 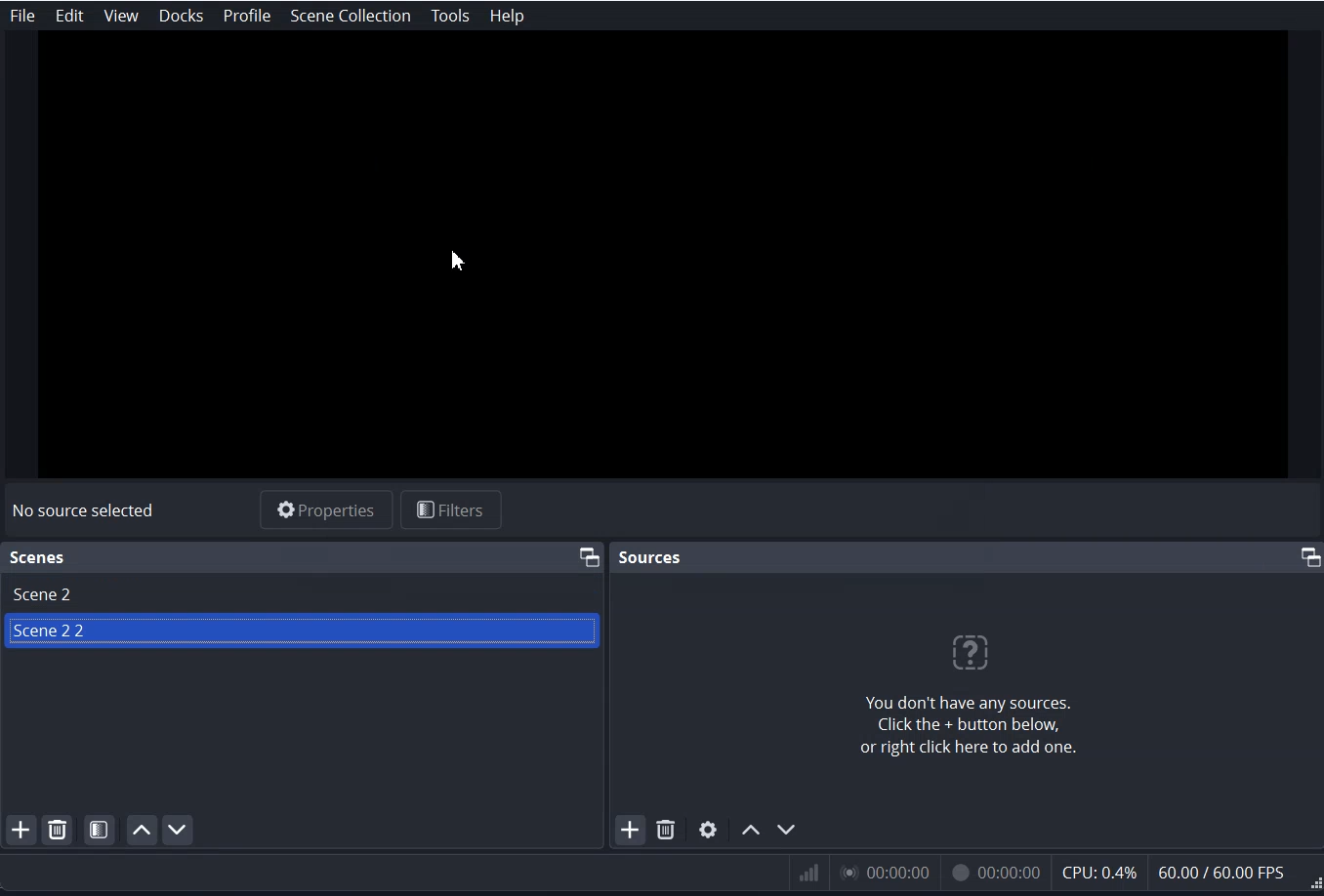 What do you see at coordinates (449, 16) in the screenshot?
I see `Tools` at bounding box center [449, 16].